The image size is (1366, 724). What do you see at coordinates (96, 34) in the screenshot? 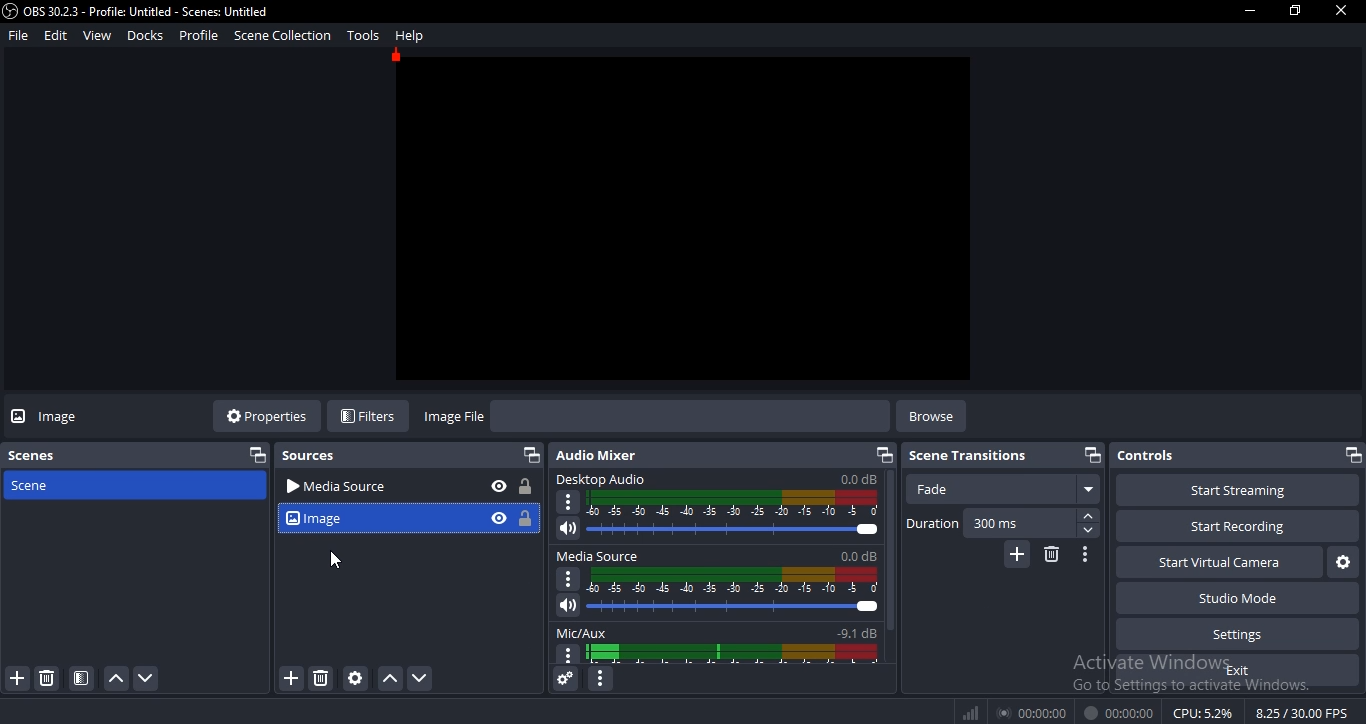
I see `view` at bounding box center [96, 34].